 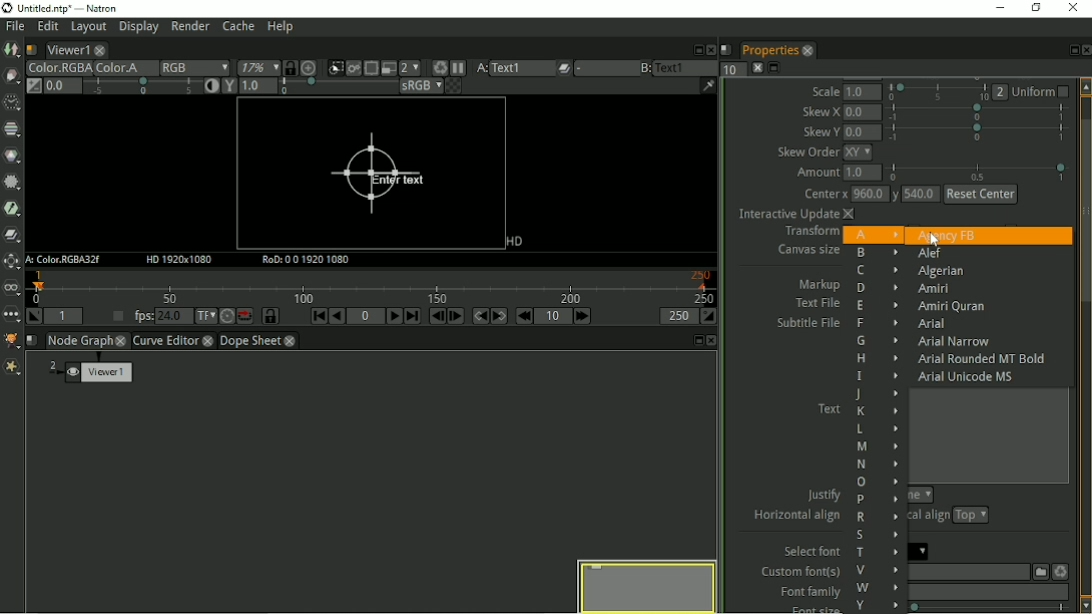 I want to click on Close, so click(x=709, y=48).